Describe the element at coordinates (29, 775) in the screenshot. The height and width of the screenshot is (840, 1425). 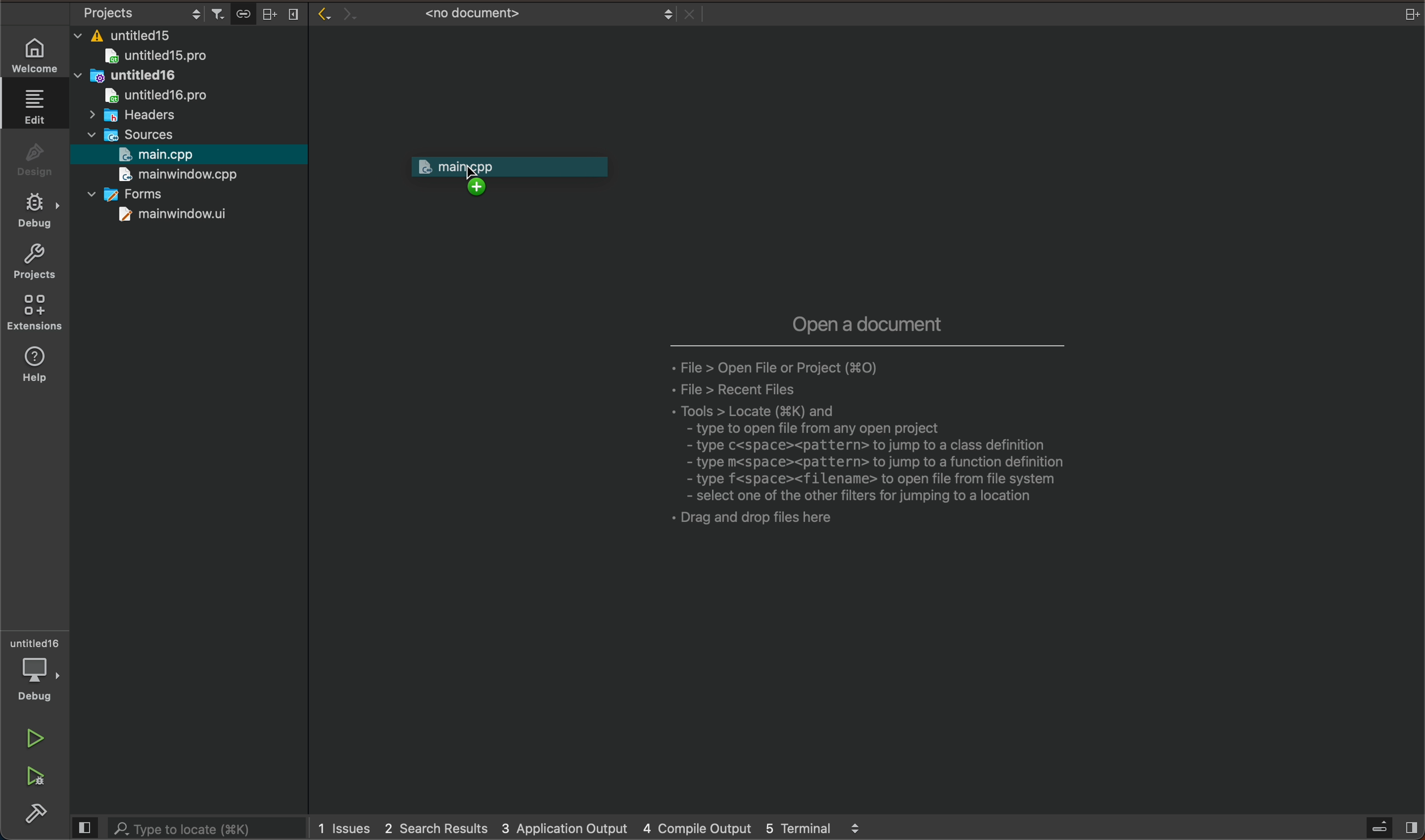
I see `run and debug` at that location.